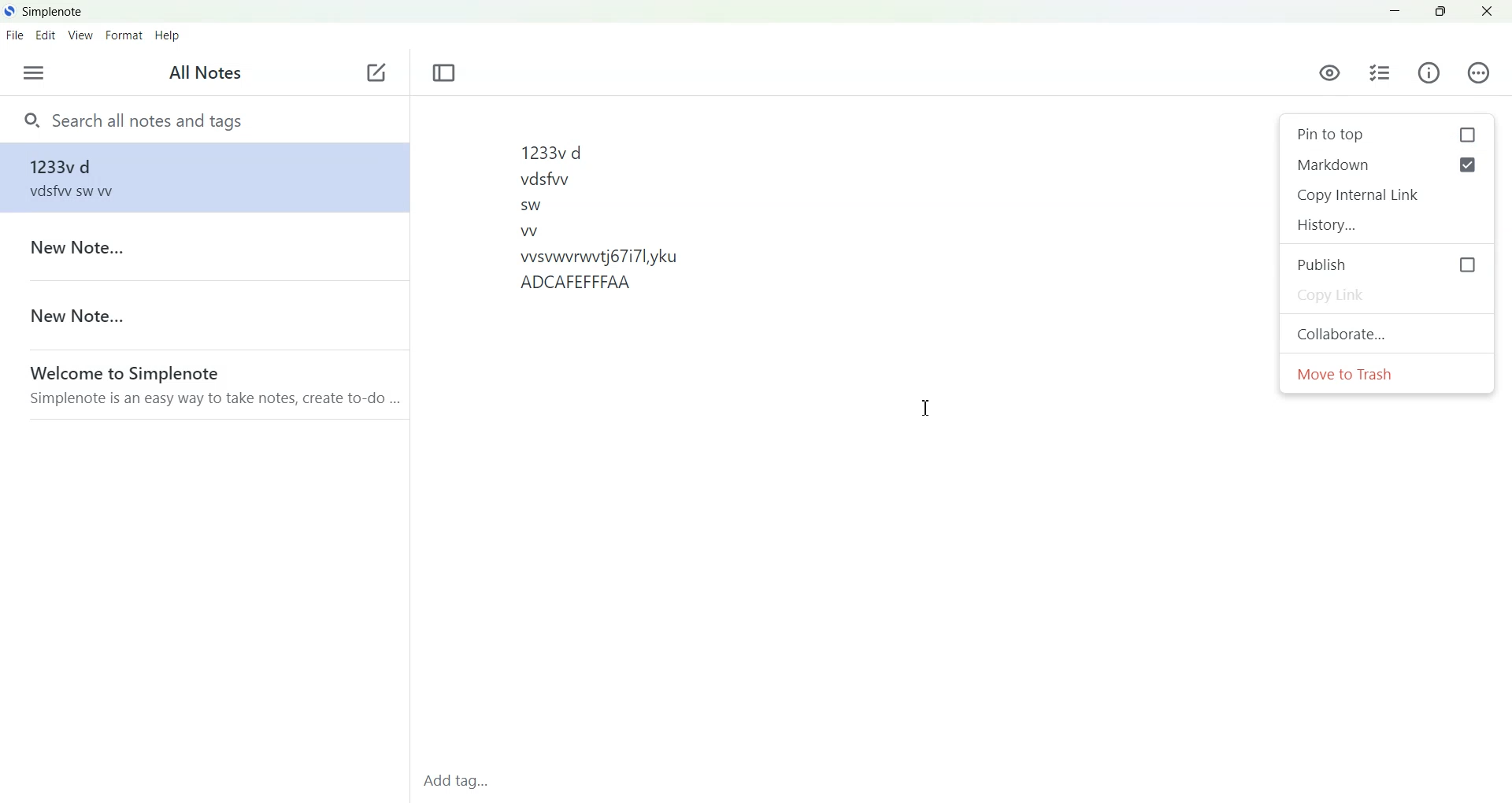 This screenshot has width=1512, height=803. What do you see at coordinates (1387, 332) in the screenshot?
I see `Collaborate` at bounding box center [1387, 332].